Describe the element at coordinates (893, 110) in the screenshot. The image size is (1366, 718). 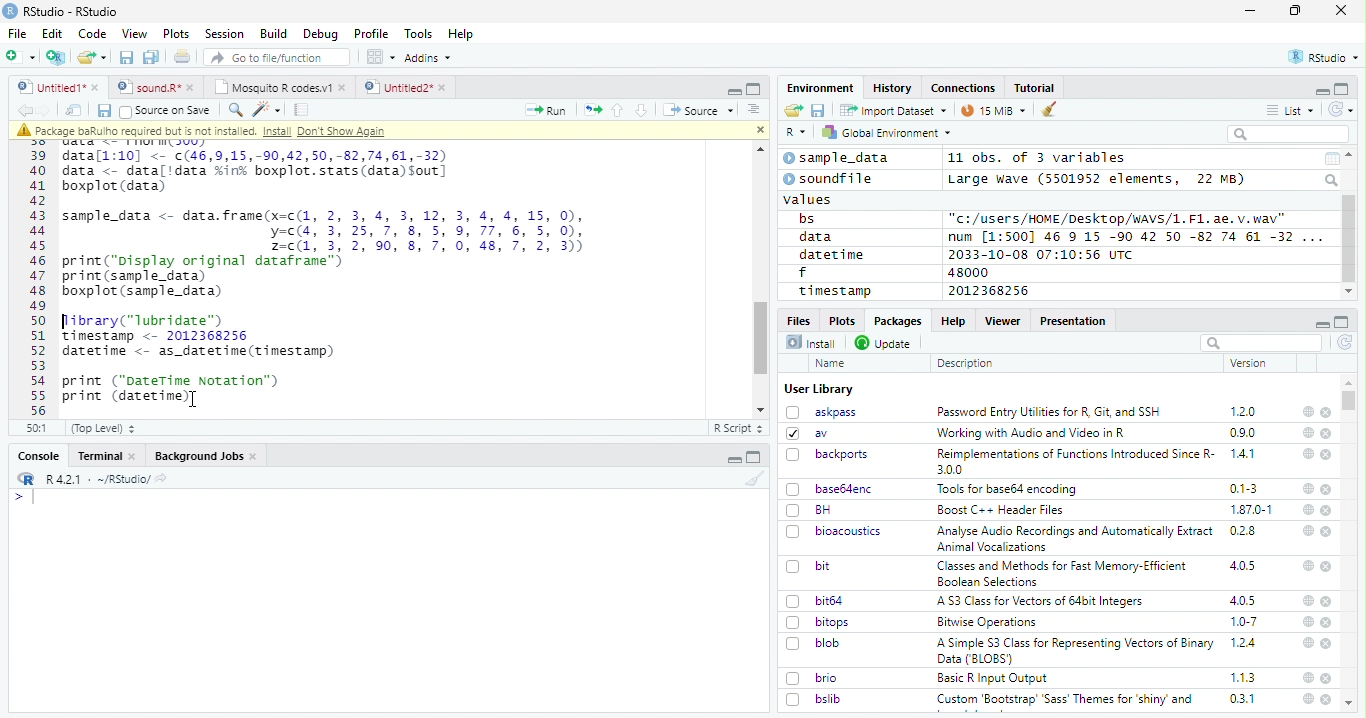
I see `Import Dataset` at that location.